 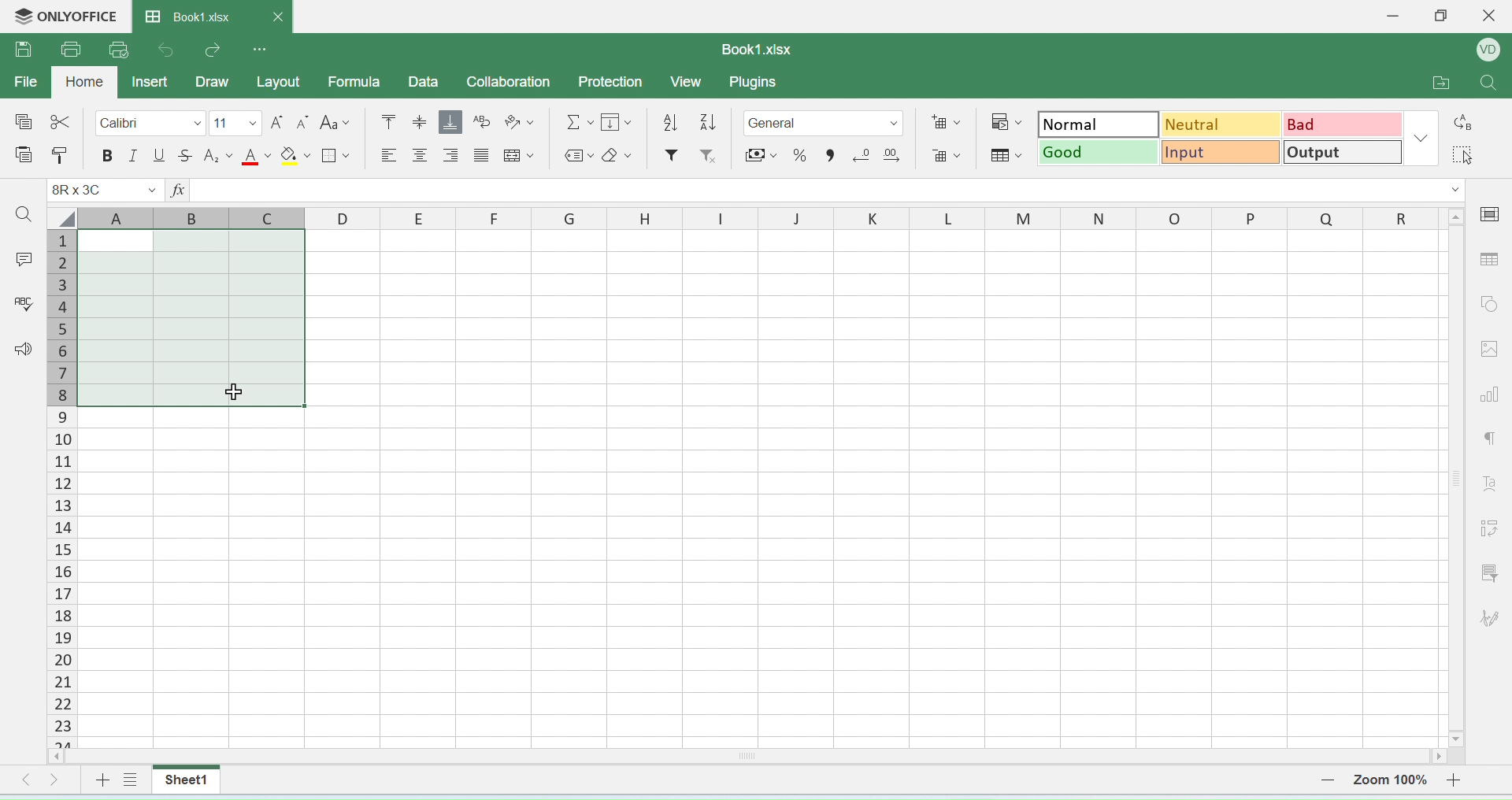 I want to click on align right, so click(x=454, y=154).